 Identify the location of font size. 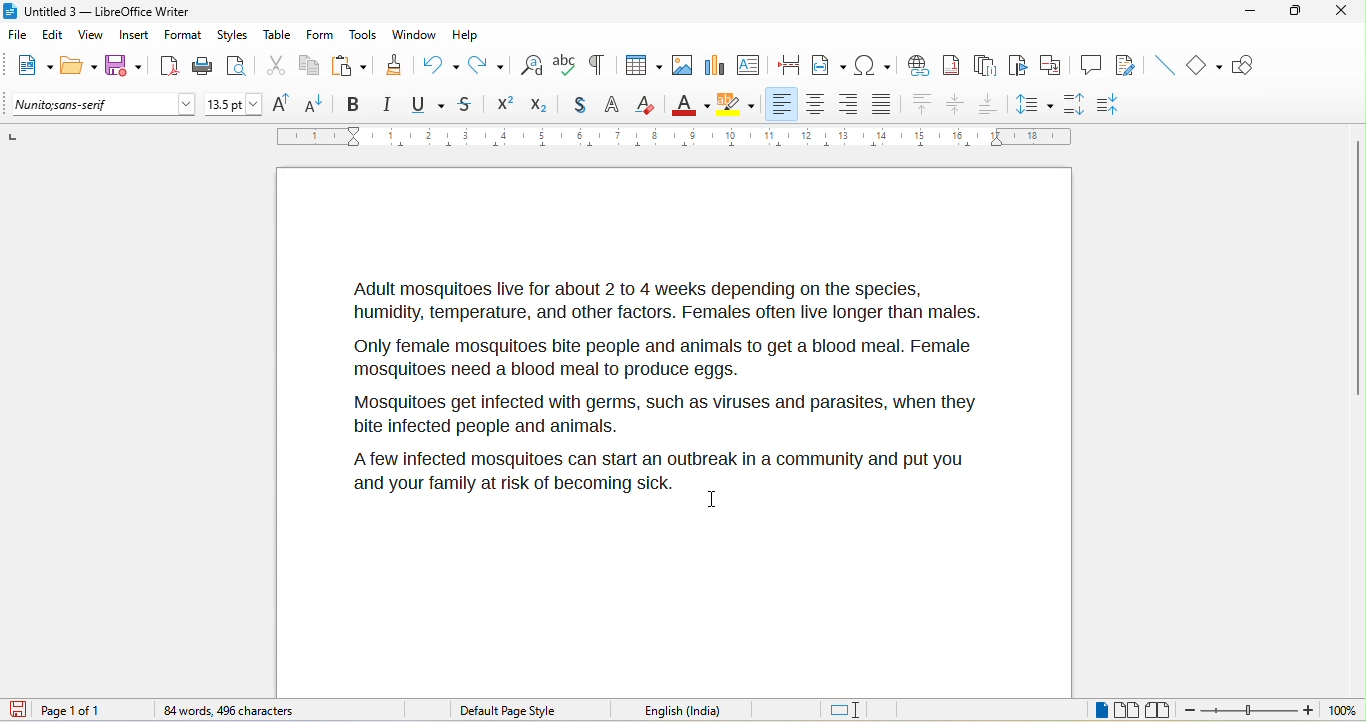
(234, 105).